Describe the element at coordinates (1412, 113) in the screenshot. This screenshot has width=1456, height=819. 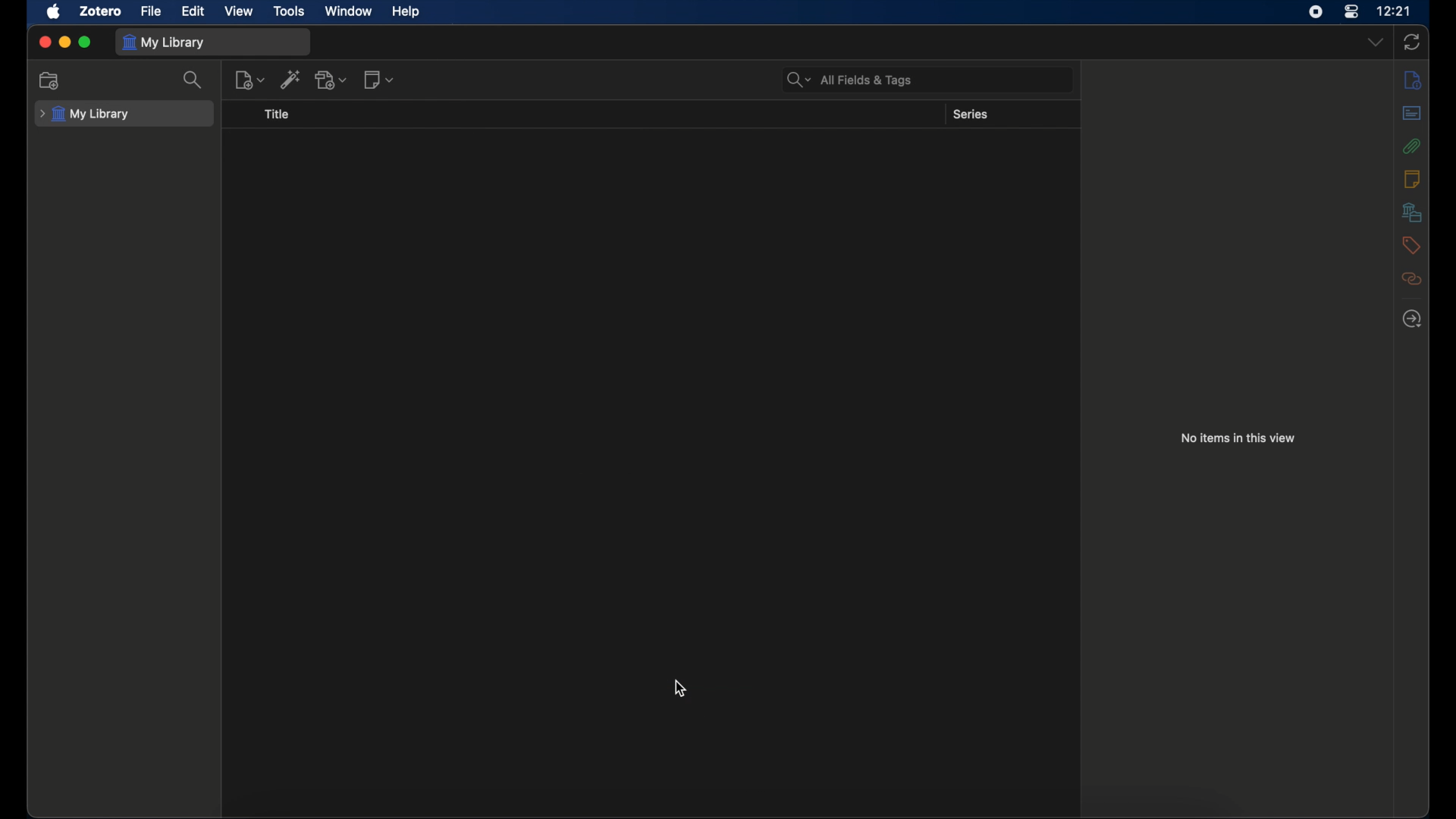
I see `abstract` at that location.